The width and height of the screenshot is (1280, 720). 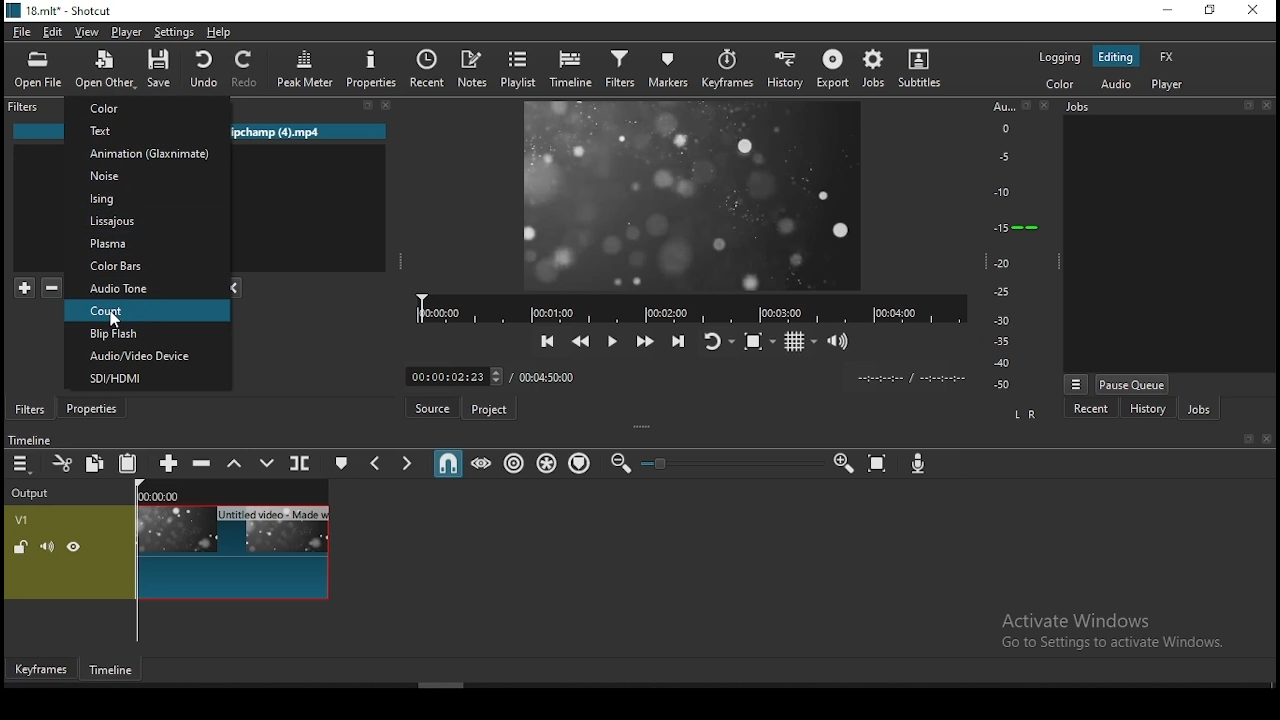 What do you see at coordinates (1247, 439) in the screenshot?
I see `bookmark` at bounding box center [1247, 439].